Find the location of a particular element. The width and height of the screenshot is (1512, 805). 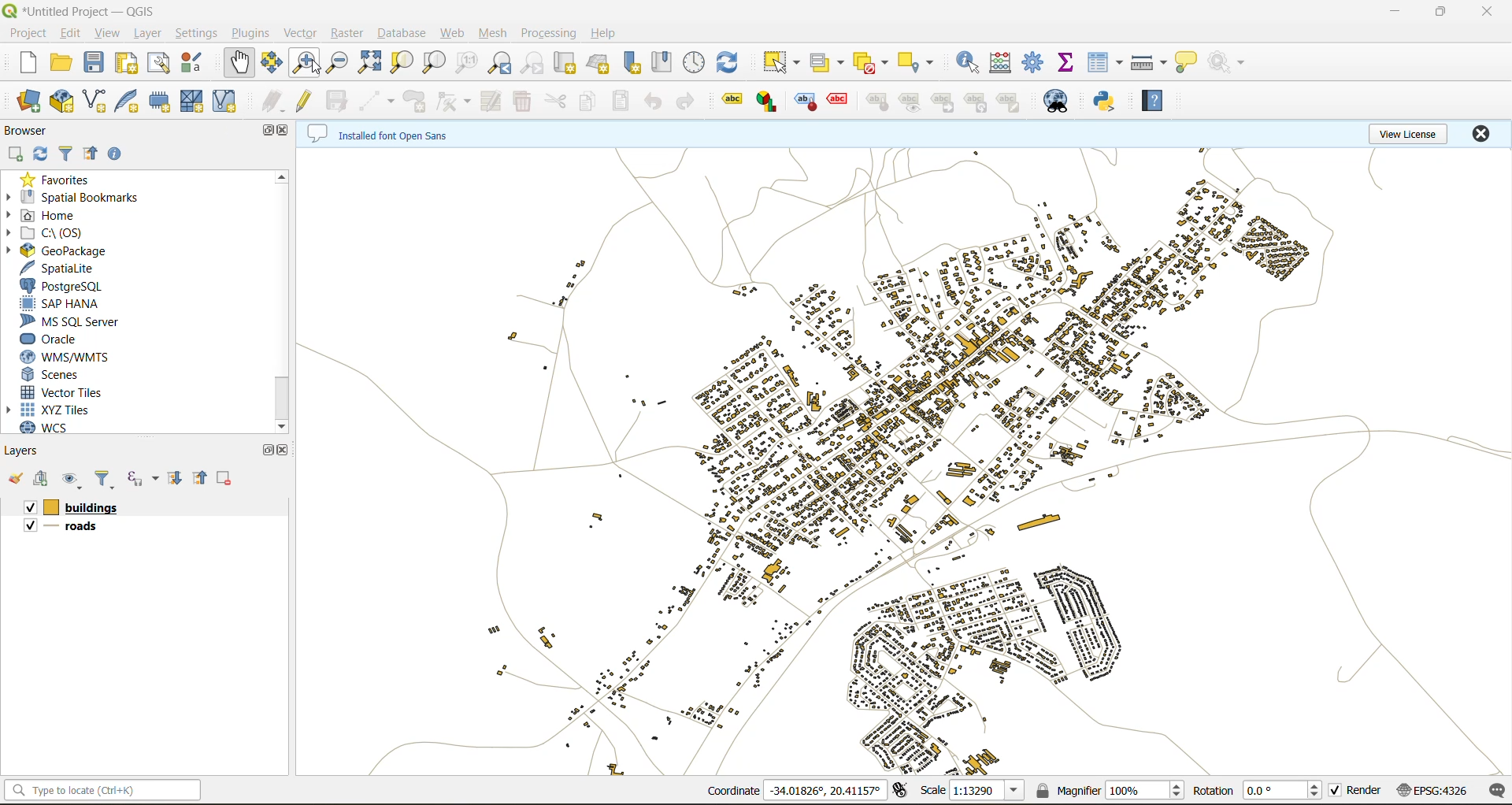

pan map is located at coordinates (239, 63).